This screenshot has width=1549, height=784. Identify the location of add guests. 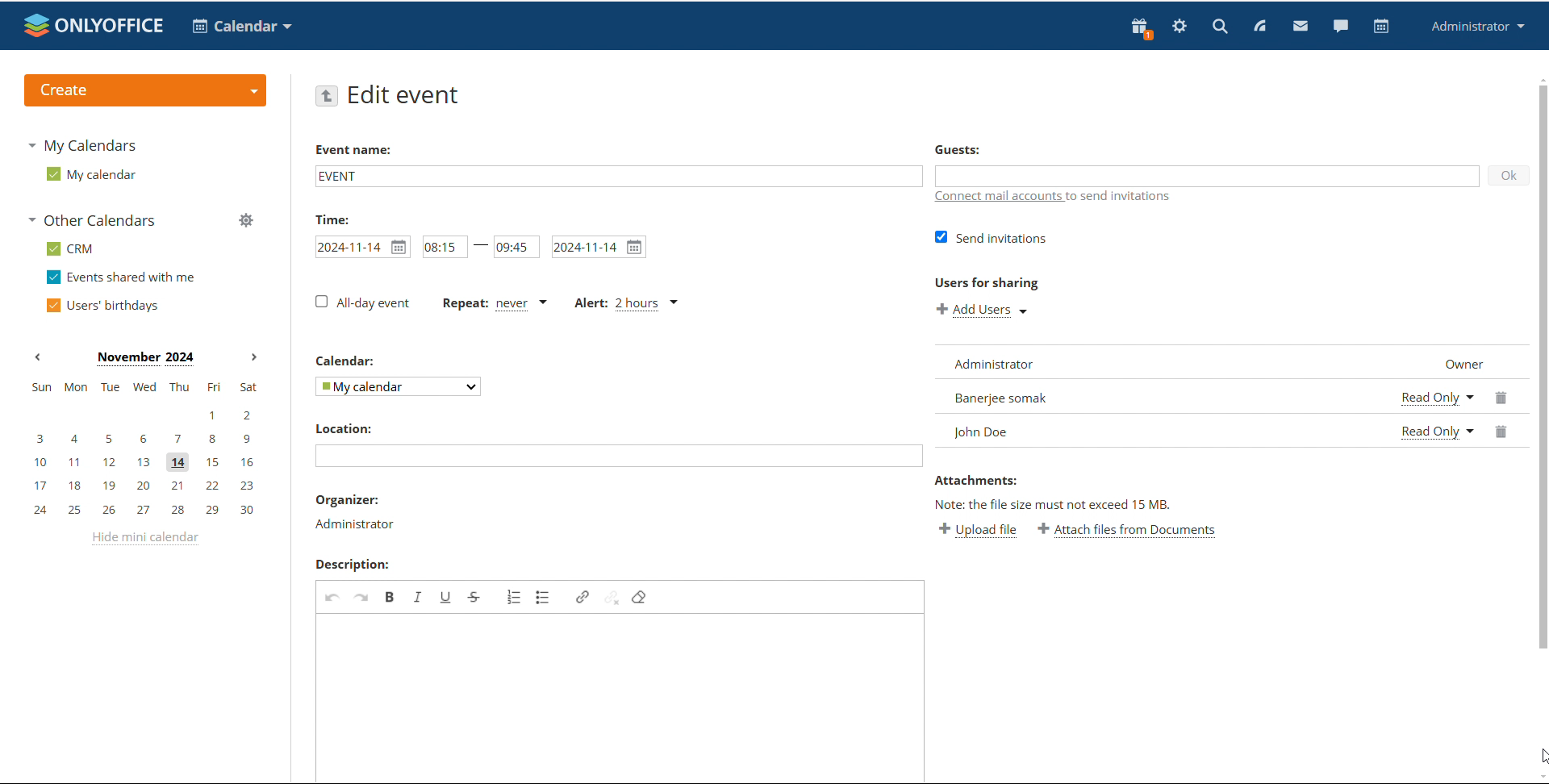
(1205, 174).